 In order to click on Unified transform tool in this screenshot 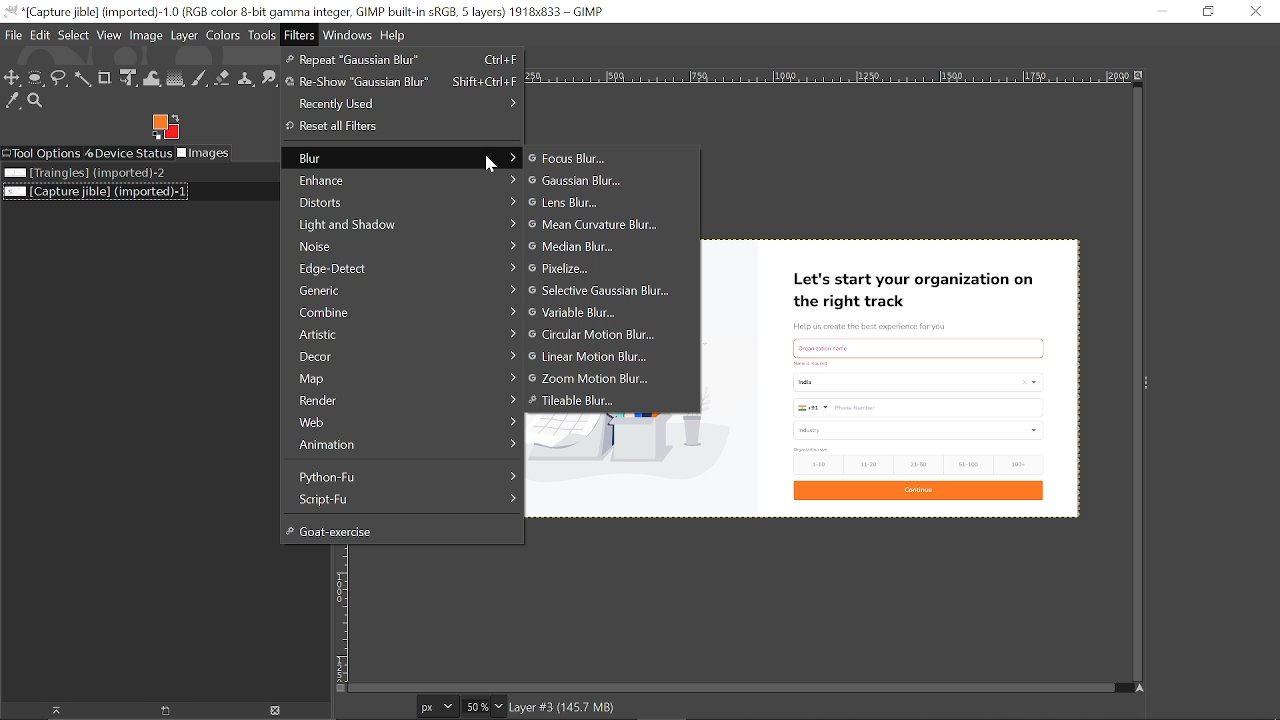, I will do `click(129, 80)`.